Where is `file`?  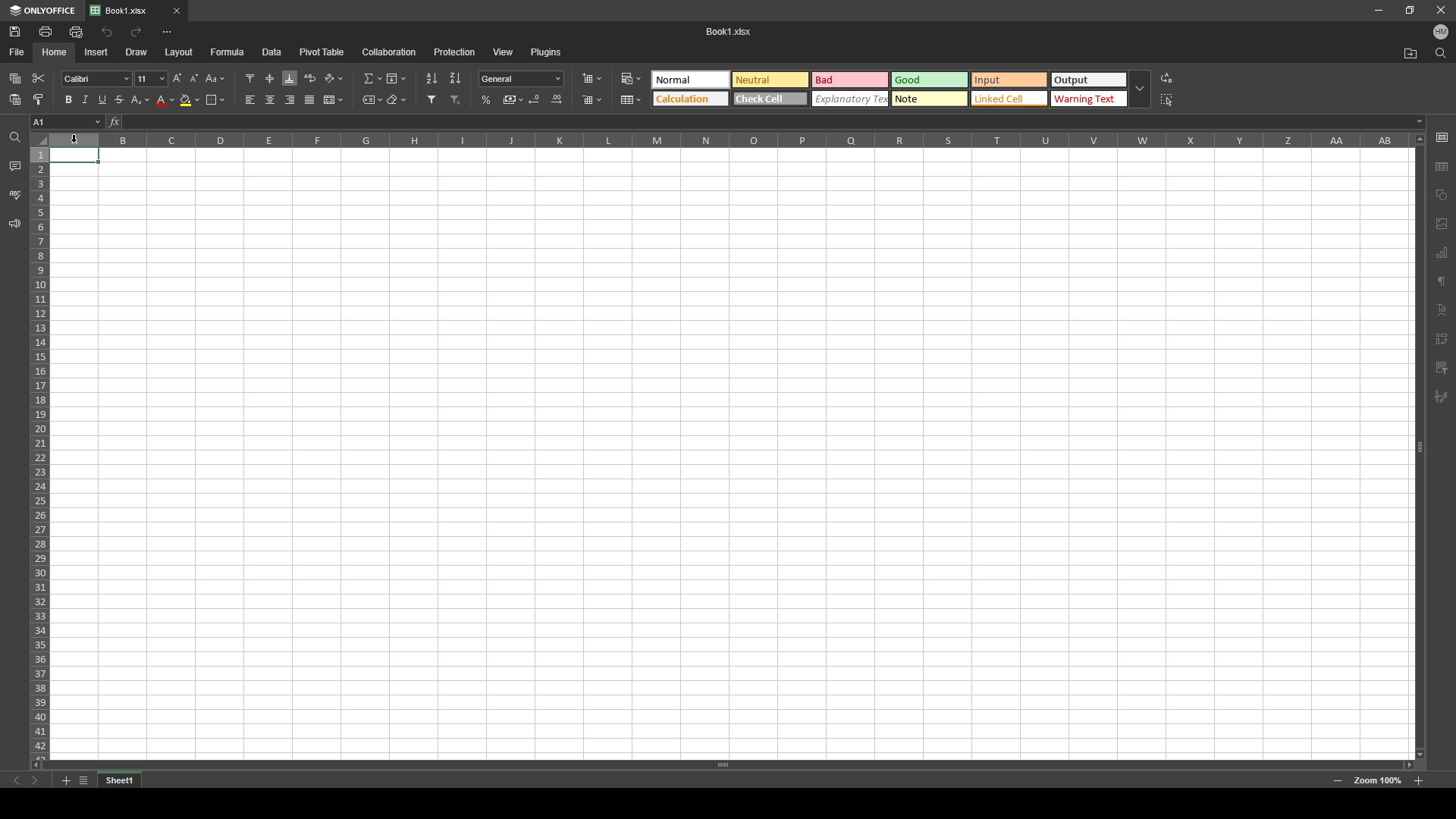
file is located at coordinates (17, 51).